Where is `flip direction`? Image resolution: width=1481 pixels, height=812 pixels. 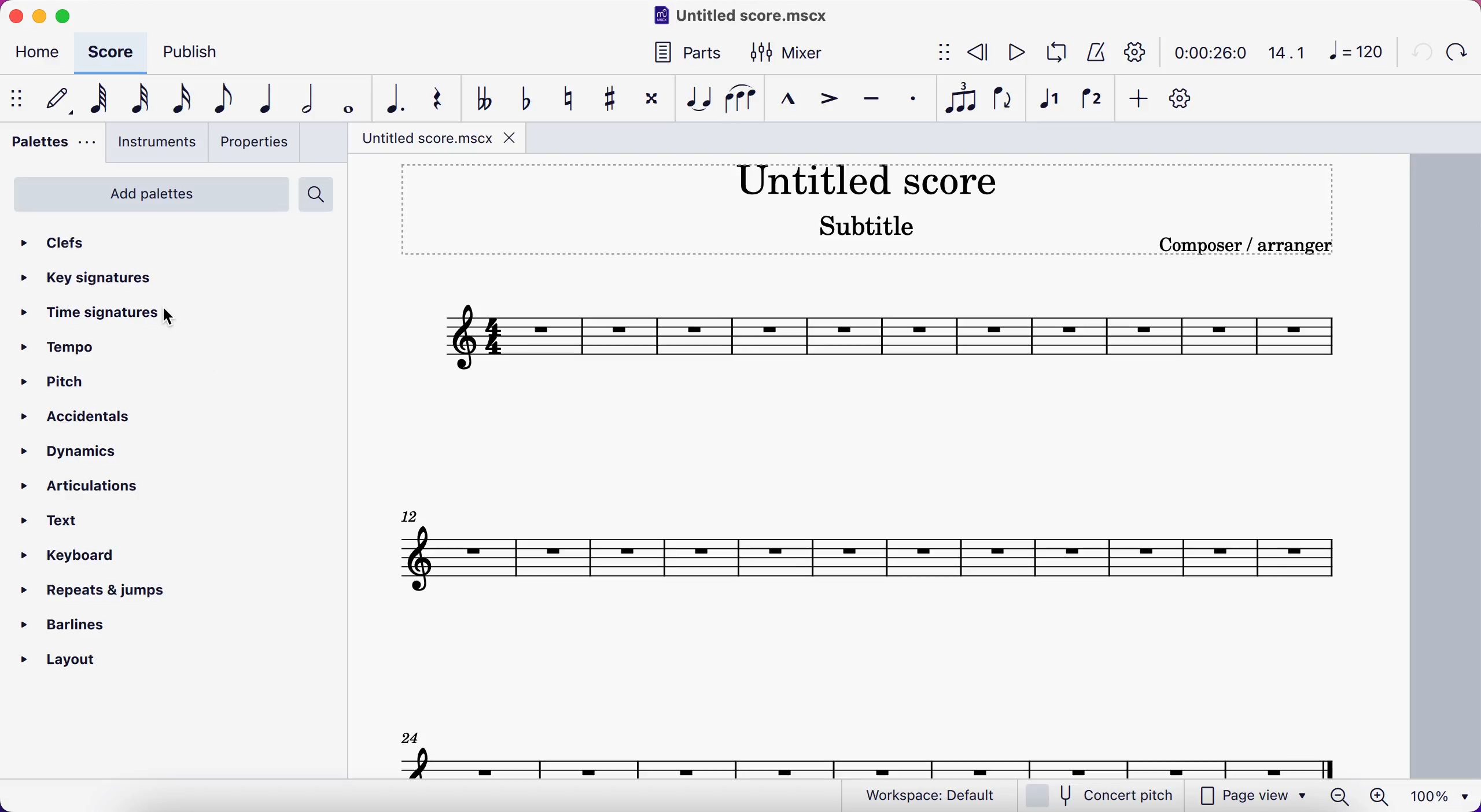 flip direction is located at coordinates (1001, 98).